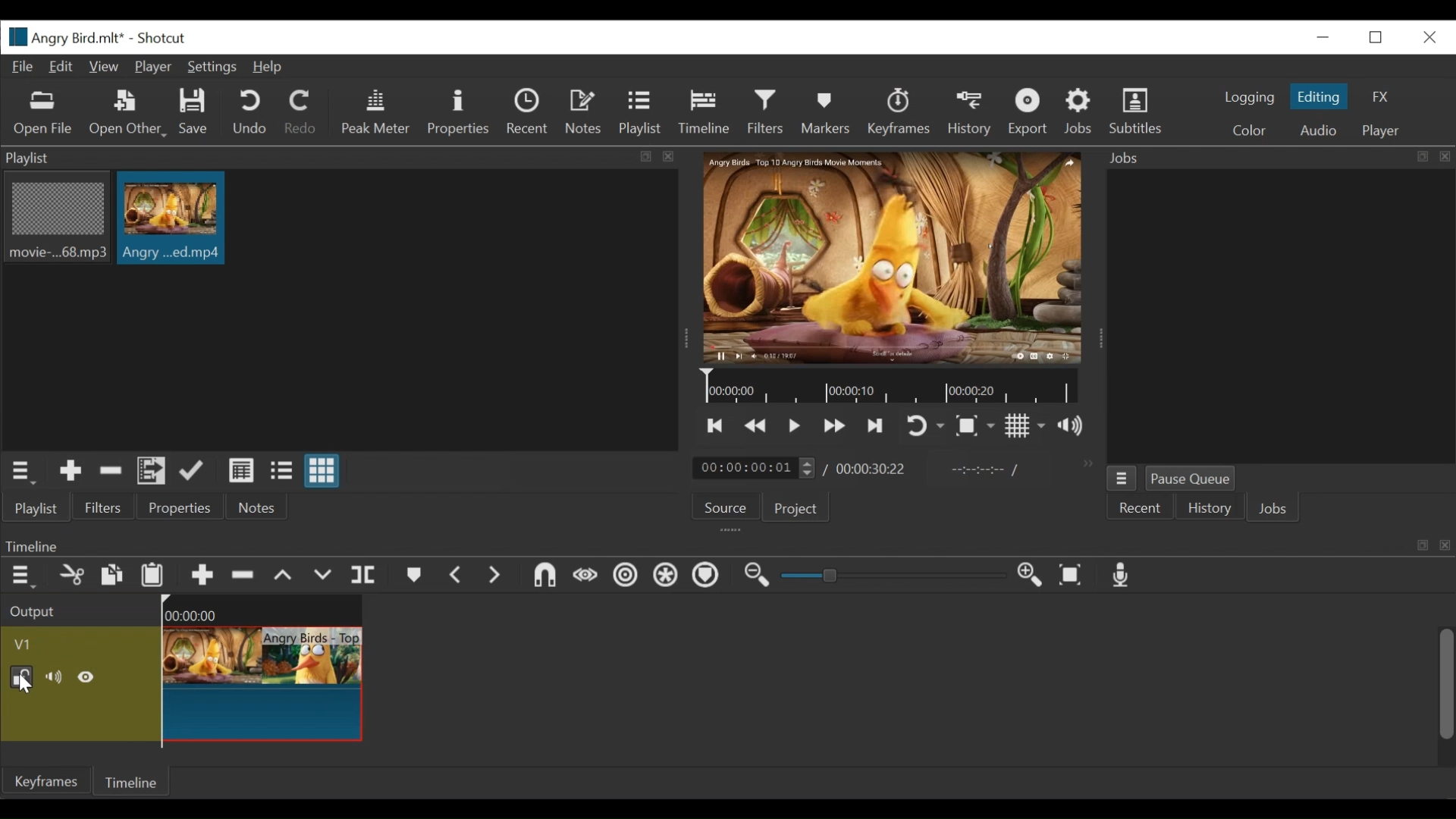  Describe the element at coordinates (178, 507) in the screenshot. I see `Properties` at that location.